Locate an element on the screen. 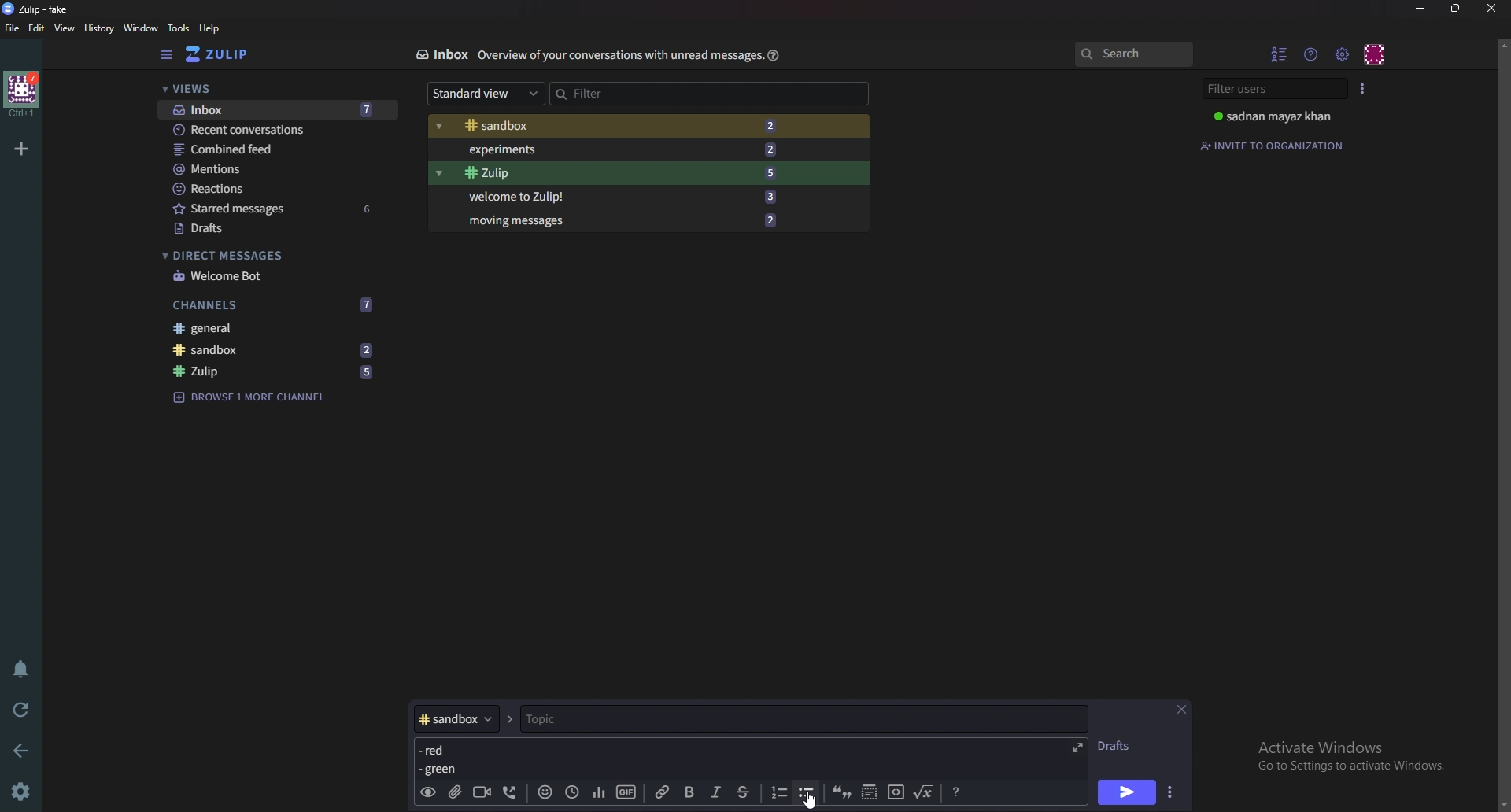  poll is located at coordinates (599, 791).